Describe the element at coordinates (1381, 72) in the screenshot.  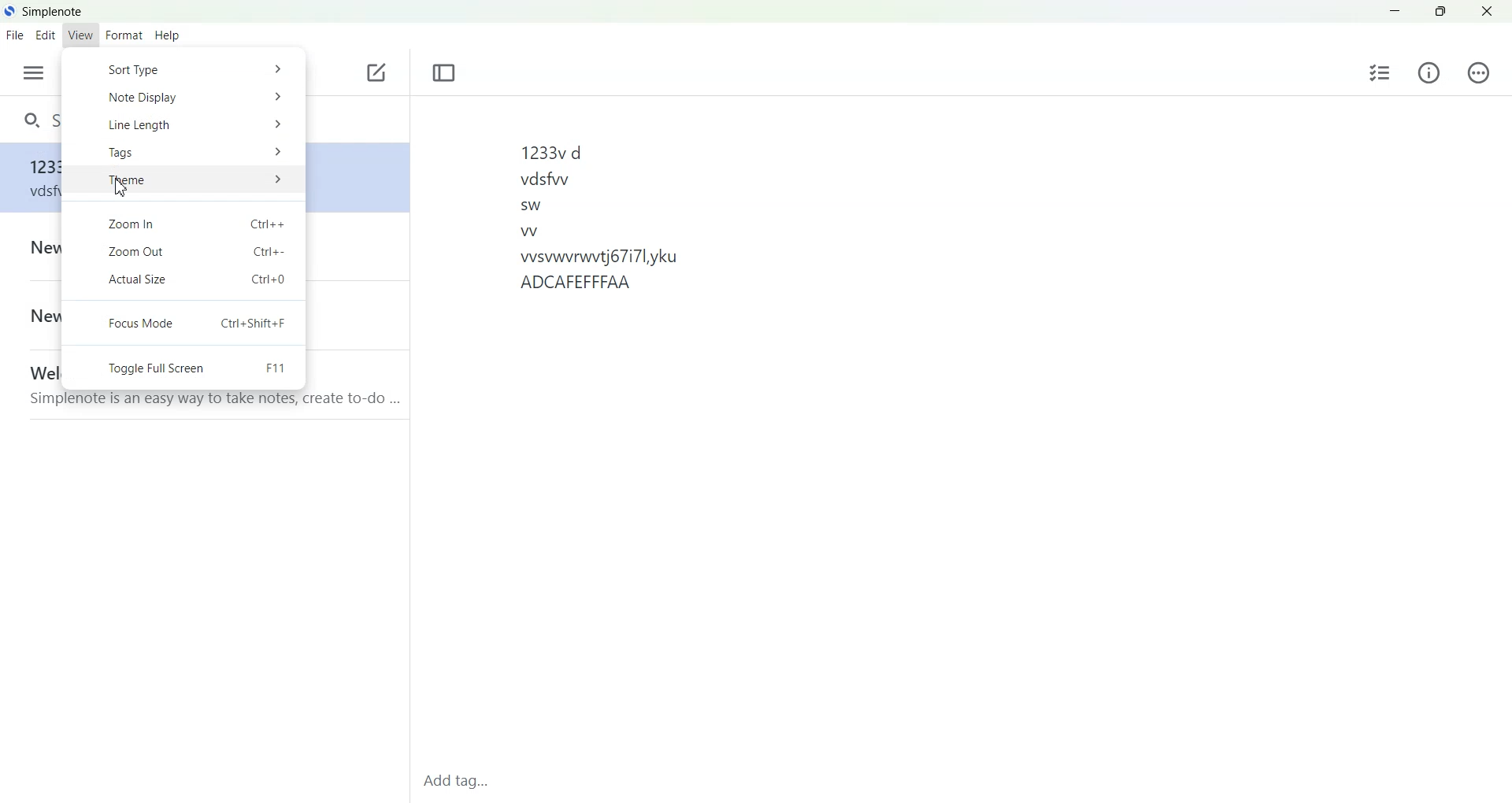
I see `Insert checklist` at that location.